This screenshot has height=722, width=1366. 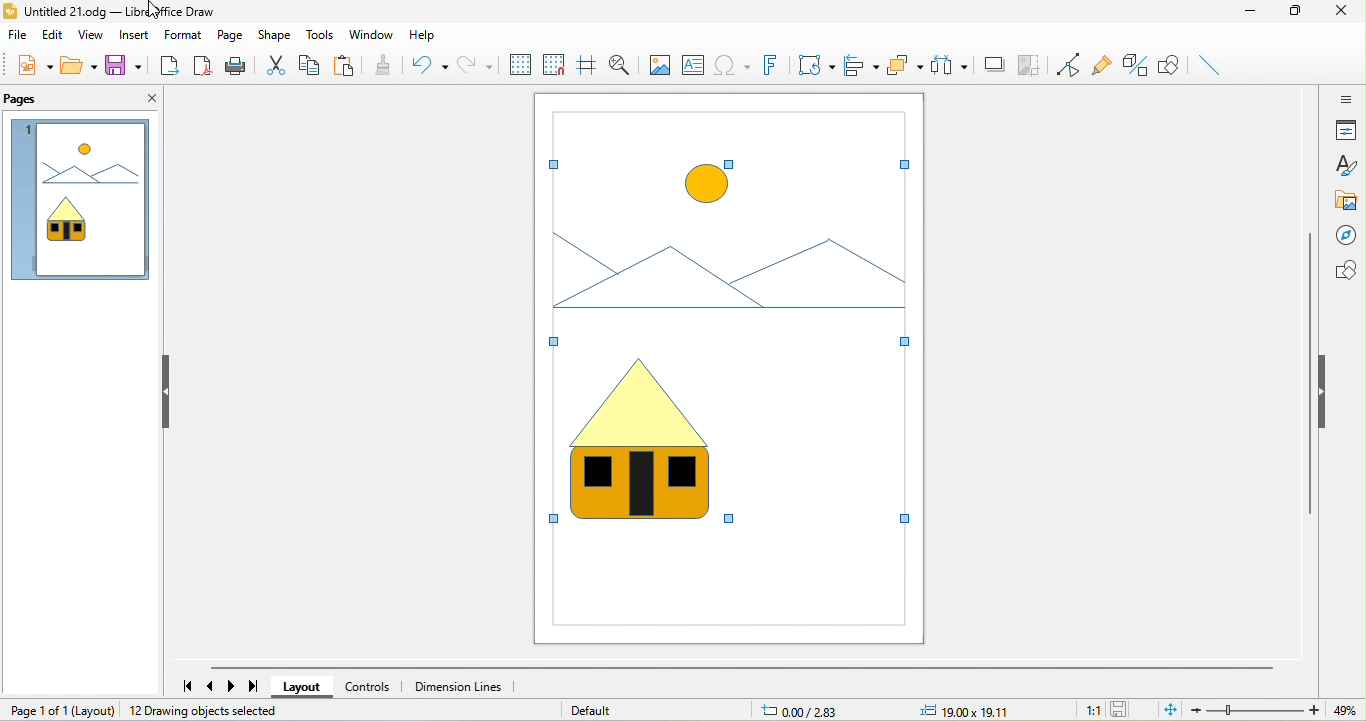 I want to click on show gluepoint functions, so click(x=1102, y=64).